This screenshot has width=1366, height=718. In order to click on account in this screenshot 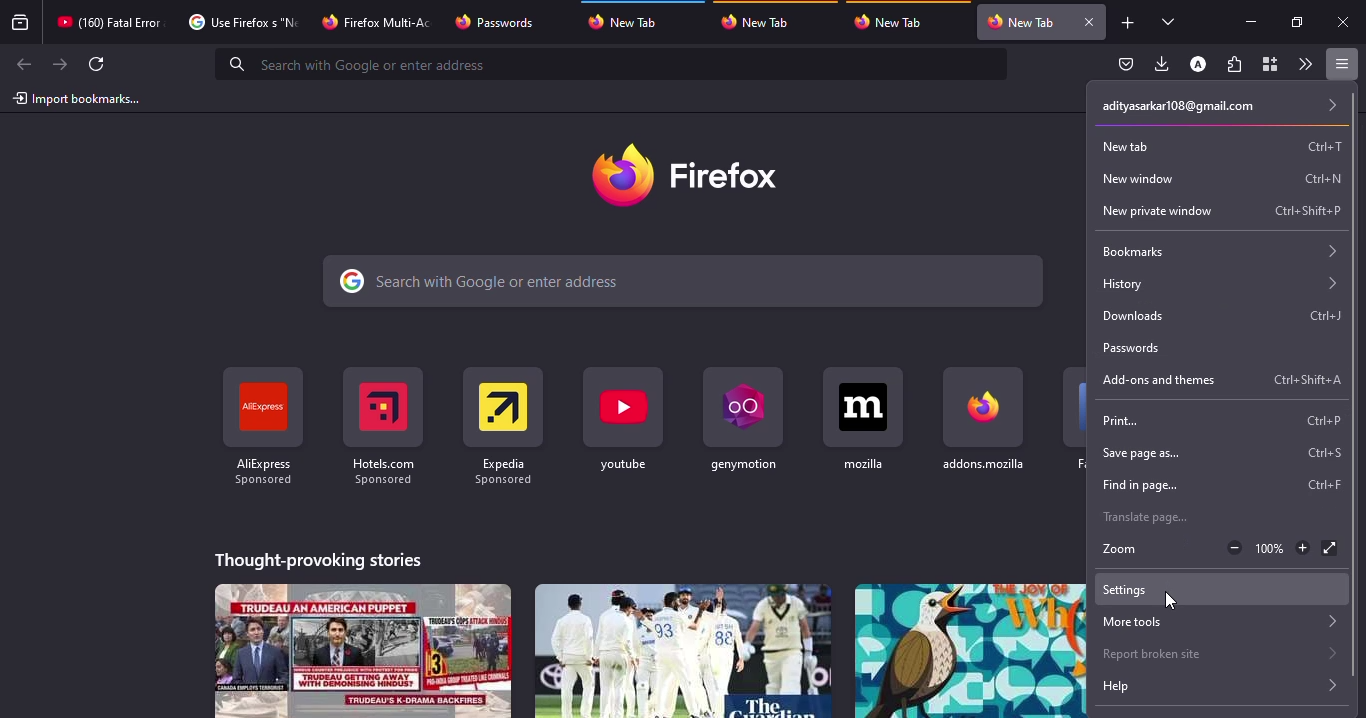, I will do `click(1215, 105)`.